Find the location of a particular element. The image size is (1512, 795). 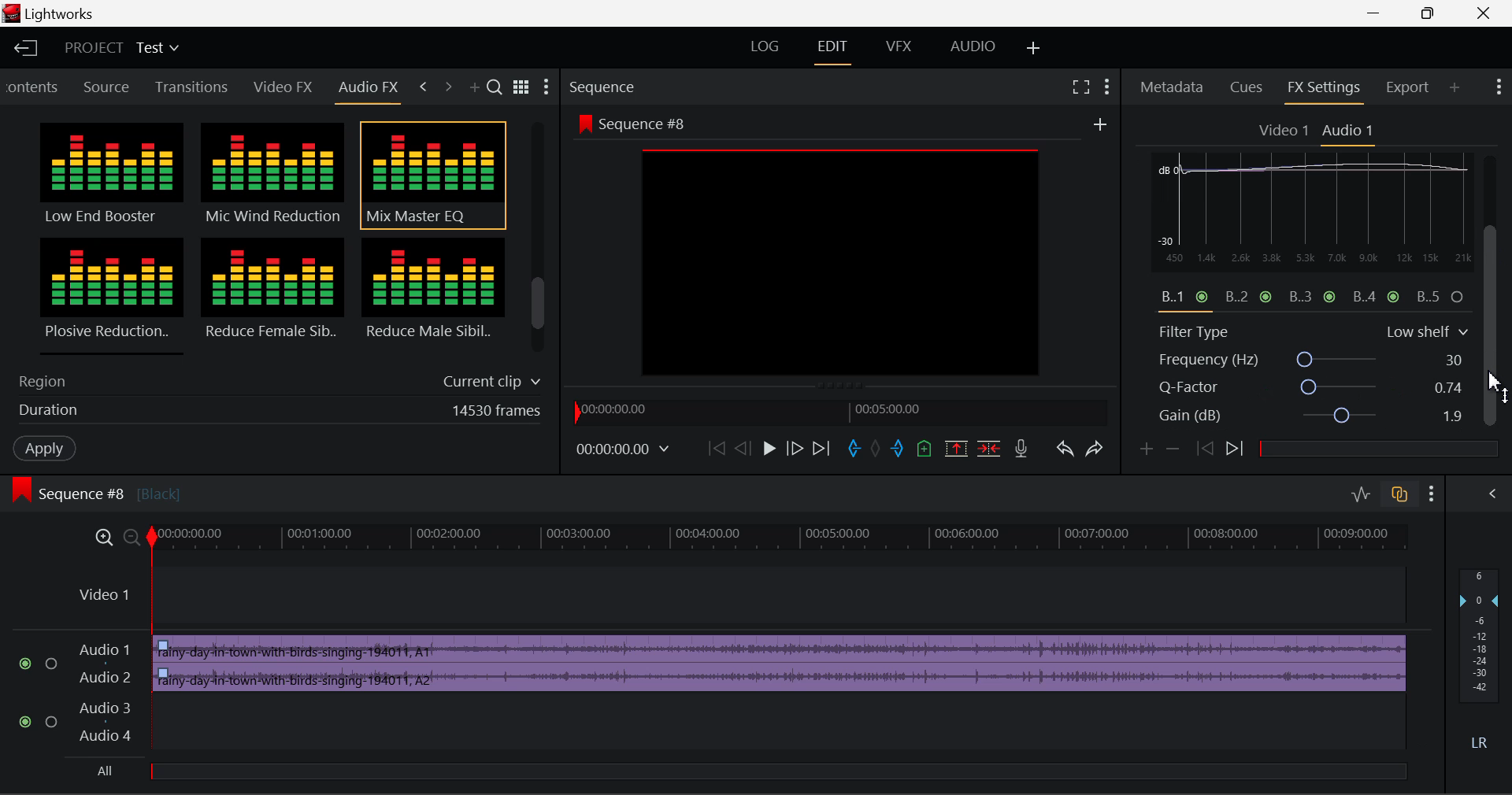

Add is located at coordinates (1100, 125).